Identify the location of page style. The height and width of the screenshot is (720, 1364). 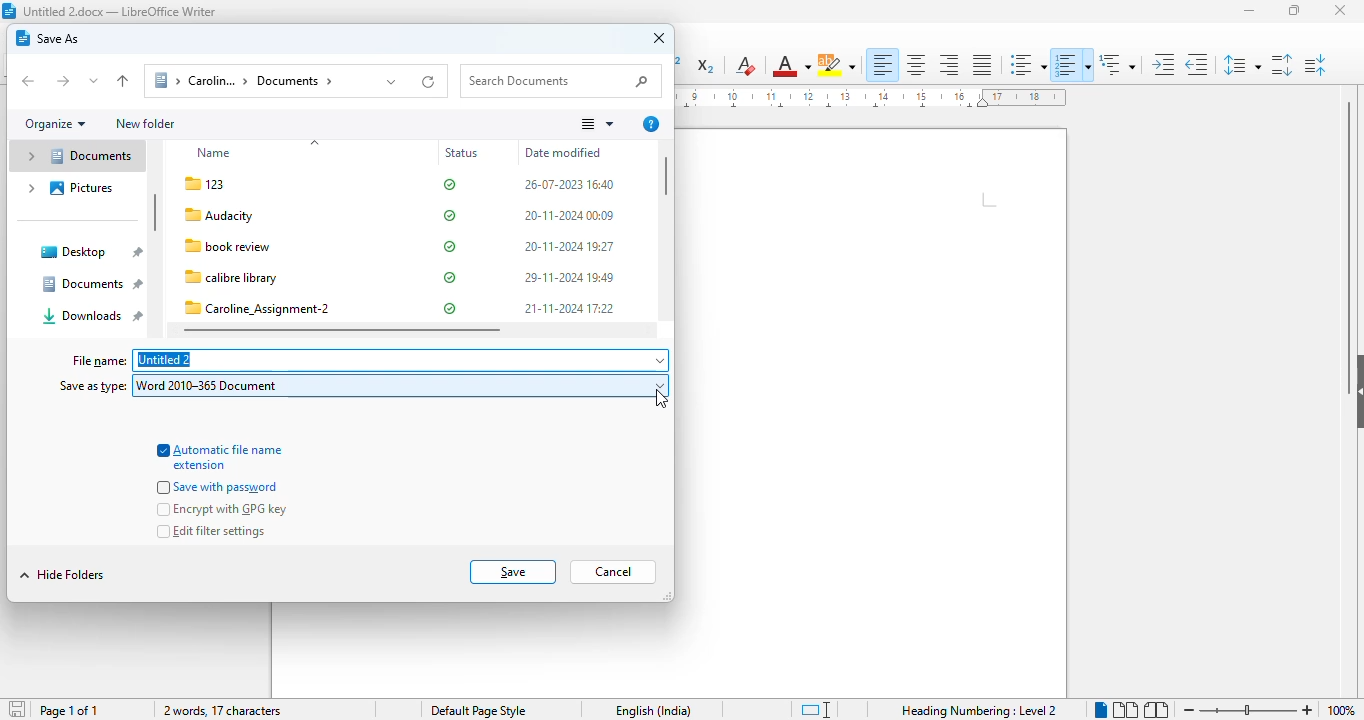
(479, 710).